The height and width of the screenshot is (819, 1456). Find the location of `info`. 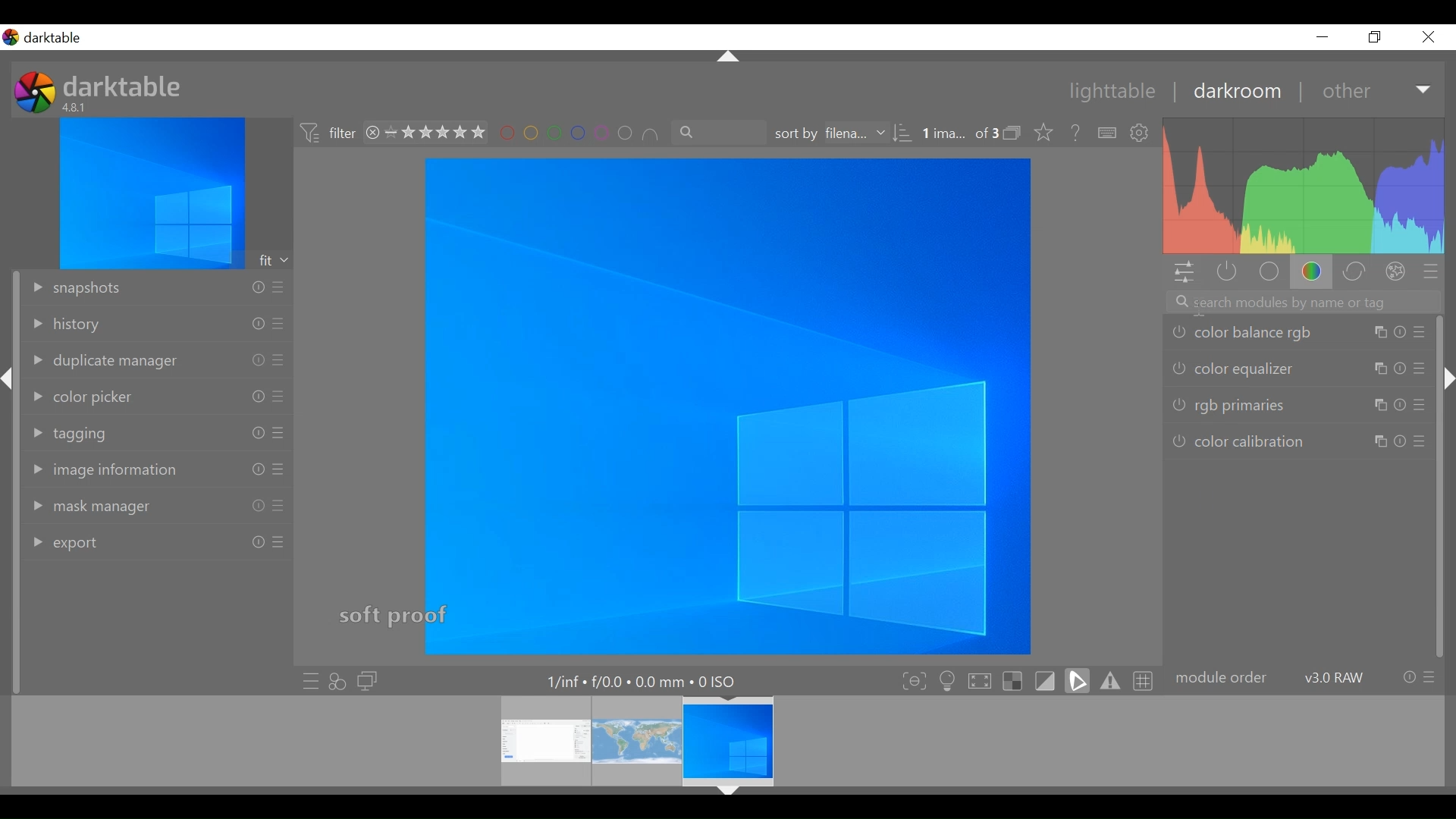

info is located at coordinates (257, 433).